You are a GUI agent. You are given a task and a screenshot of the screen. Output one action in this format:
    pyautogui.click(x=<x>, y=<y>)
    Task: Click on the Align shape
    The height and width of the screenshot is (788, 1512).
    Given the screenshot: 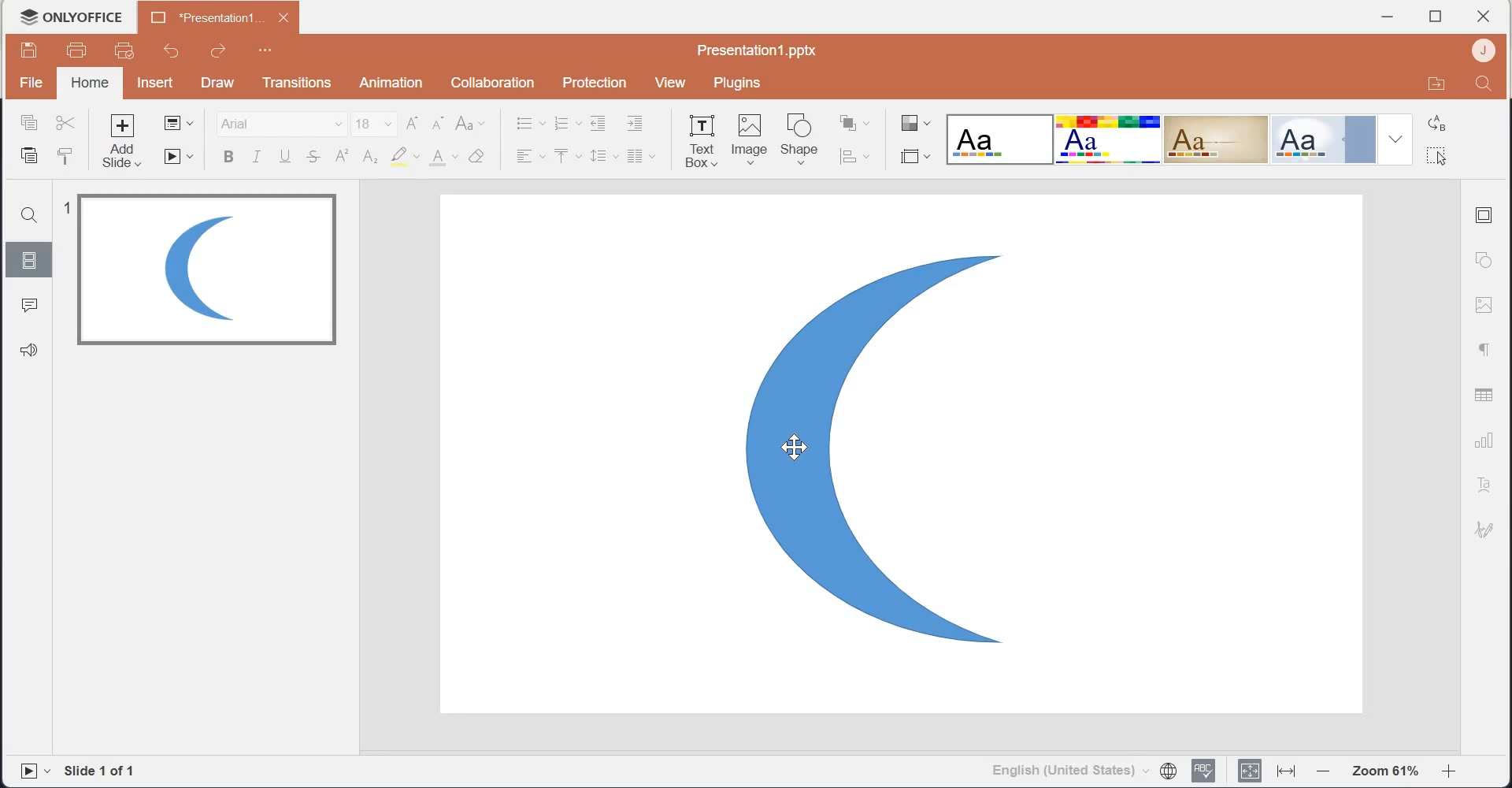 What is the action you would take?
    pyautogui.click(x=860, y=158)
    